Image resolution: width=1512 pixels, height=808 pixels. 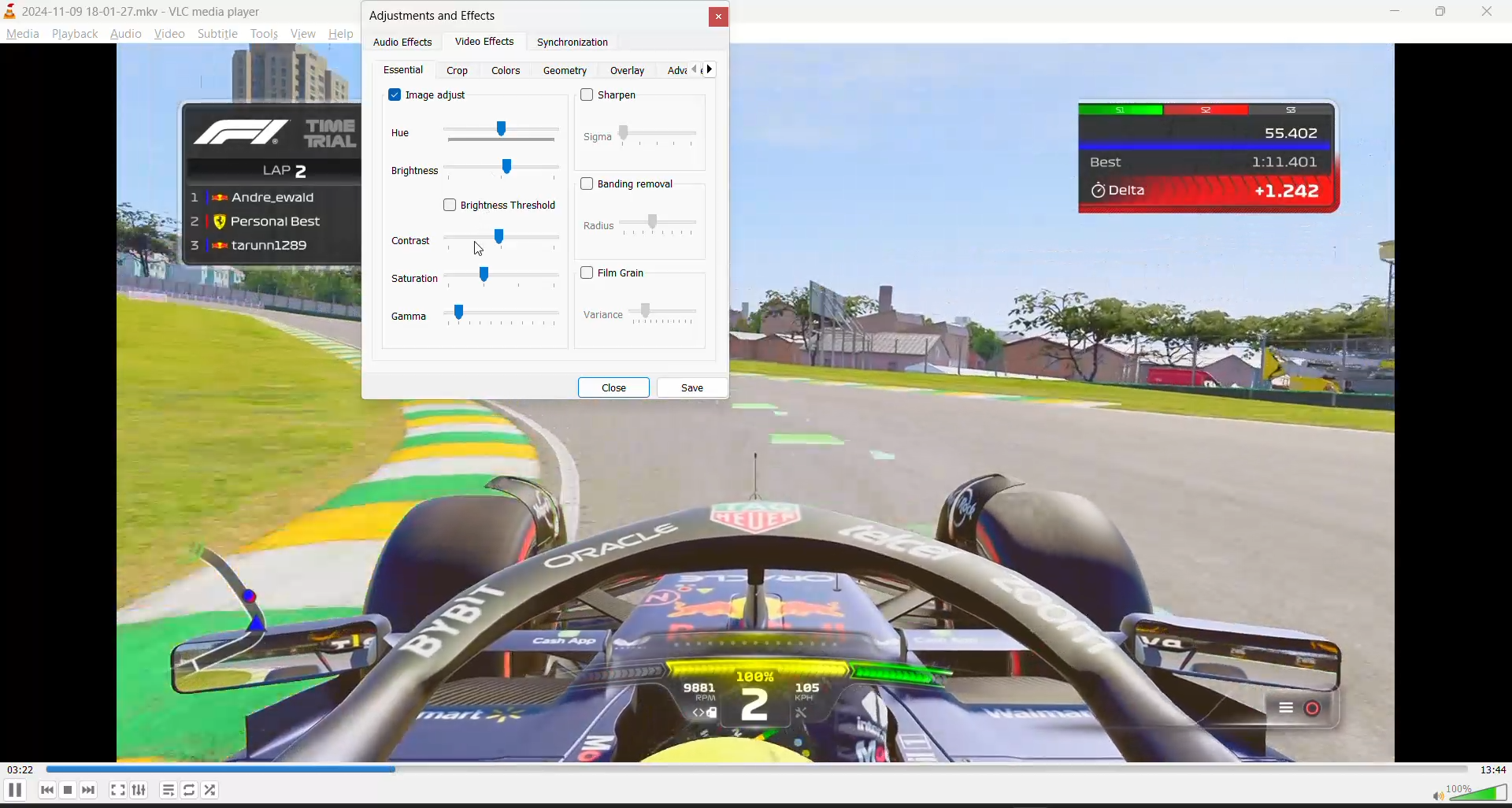 What do you see at coordinates (503, 313) in the screenshot?
I see `gamma slider` at bounding box center [503, 313].